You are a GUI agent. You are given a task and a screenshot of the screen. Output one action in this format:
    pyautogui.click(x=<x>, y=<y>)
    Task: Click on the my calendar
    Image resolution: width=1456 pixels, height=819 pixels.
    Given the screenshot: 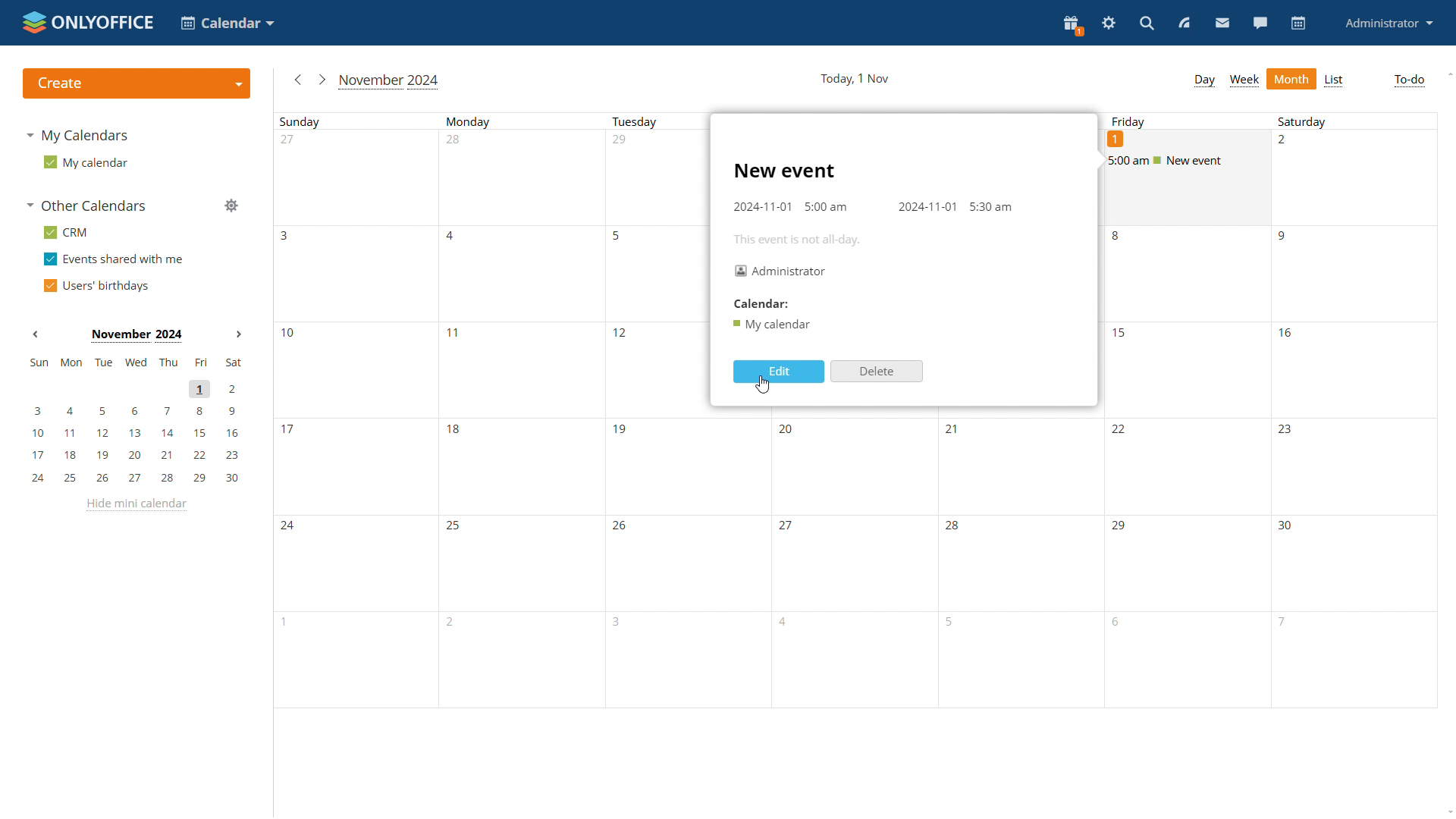 What is the action you would take?
    pyautogui.click(x=88, y=165)
    